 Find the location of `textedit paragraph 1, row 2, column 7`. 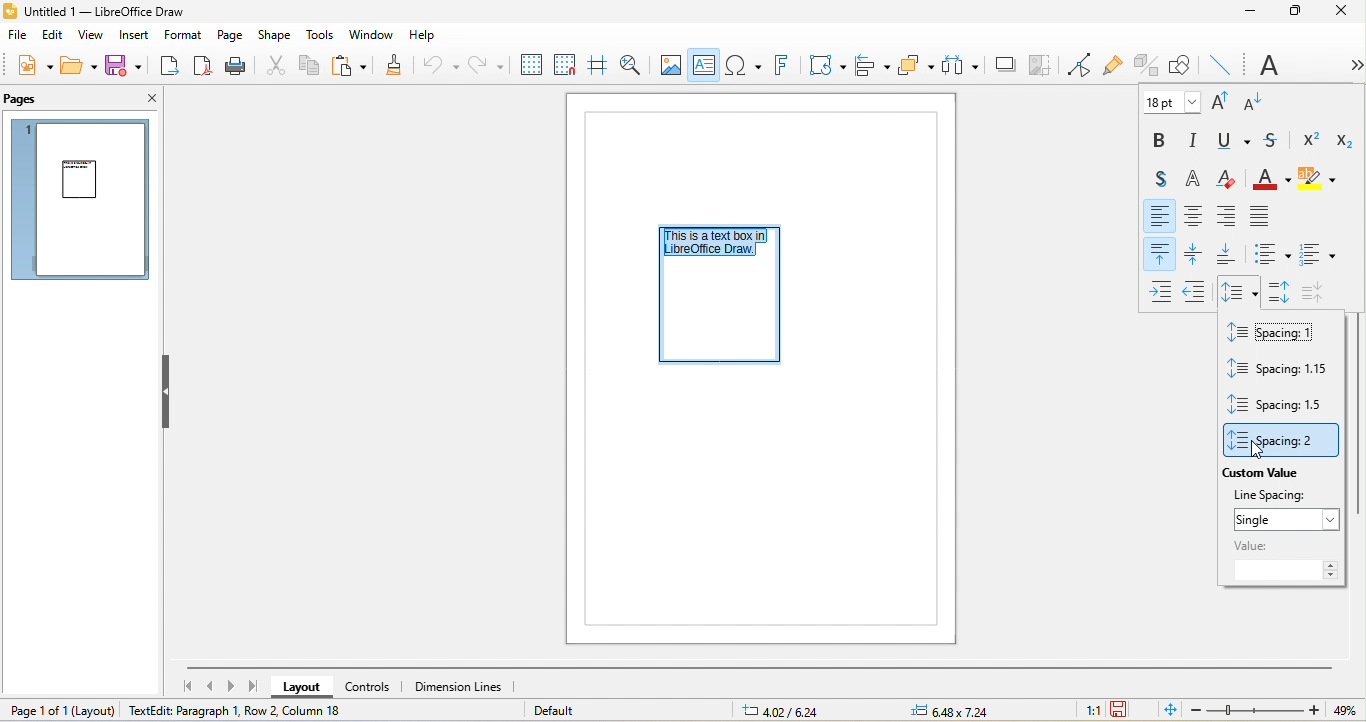

textedit paragraph 1, row 2, column 7 is located at coordinates (239, 710).